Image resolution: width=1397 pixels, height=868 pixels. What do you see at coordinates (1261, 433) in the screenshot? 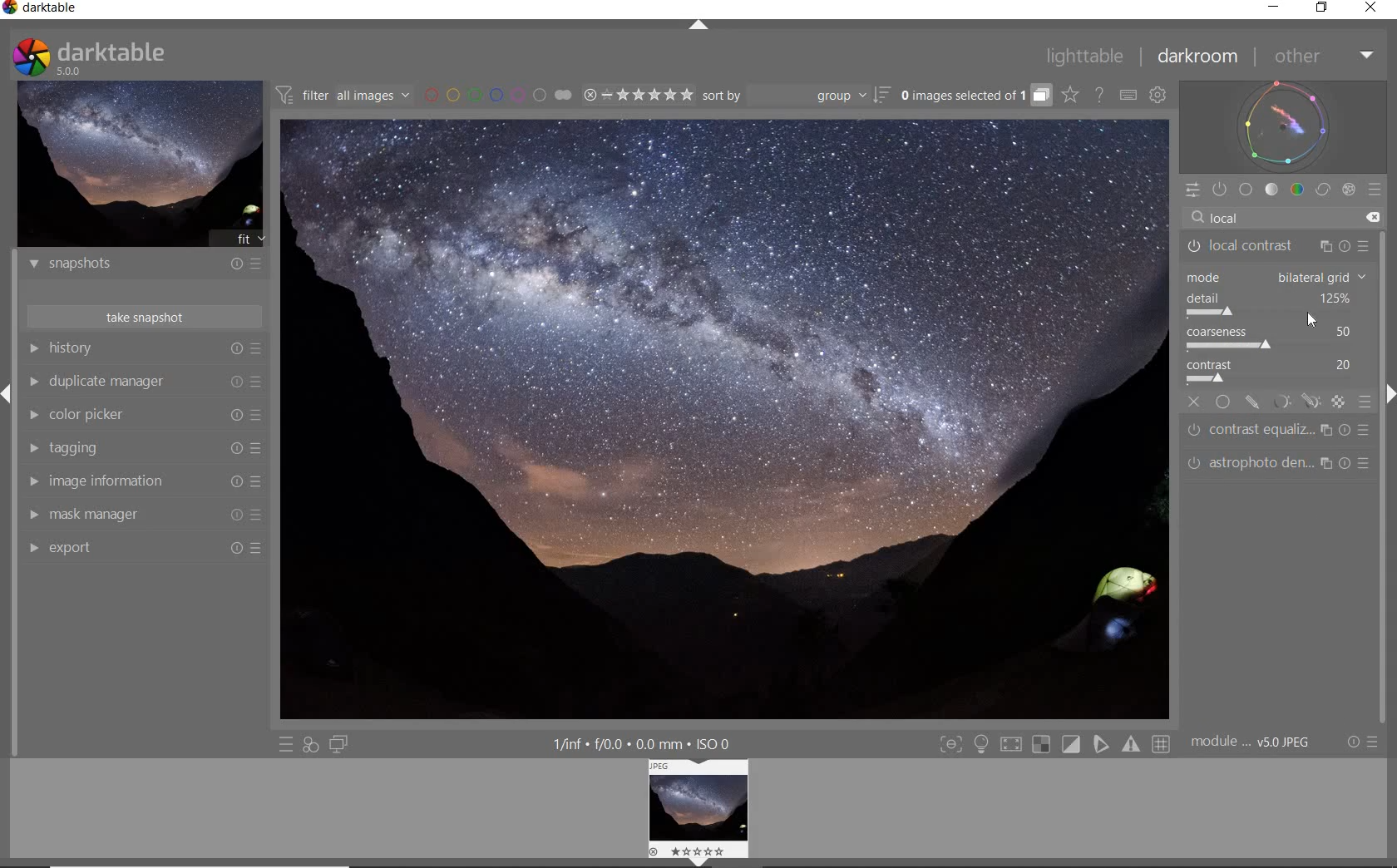
I see `contrast equalizer` at bounding box center [1261, 433].